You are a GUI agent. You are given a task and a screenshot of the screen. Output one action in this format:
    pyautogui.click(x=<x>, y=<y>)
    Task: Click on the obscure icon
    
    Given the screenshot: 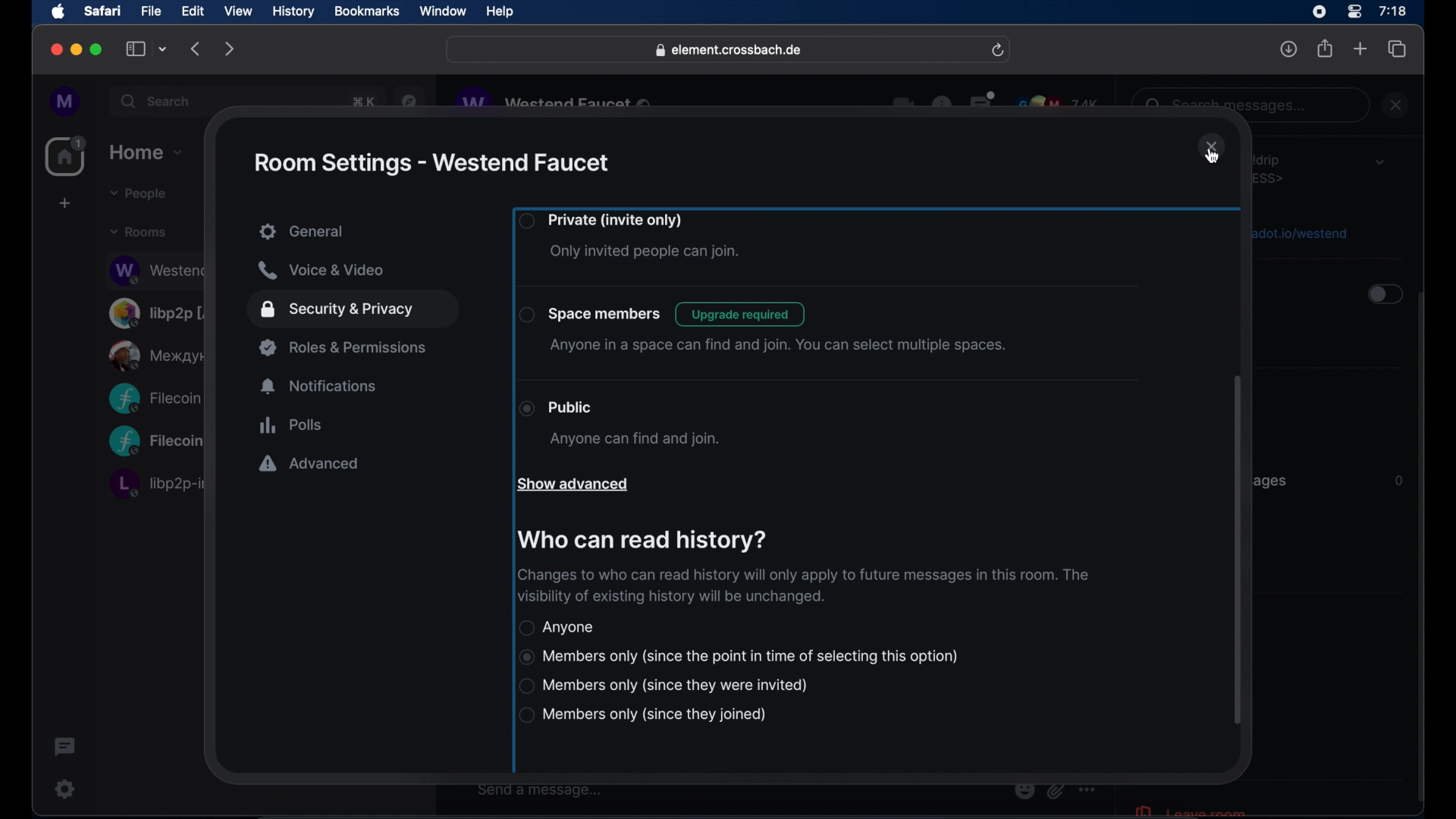 What is the action you would take?
    pyautogui.click(x=1055, y=790)
    